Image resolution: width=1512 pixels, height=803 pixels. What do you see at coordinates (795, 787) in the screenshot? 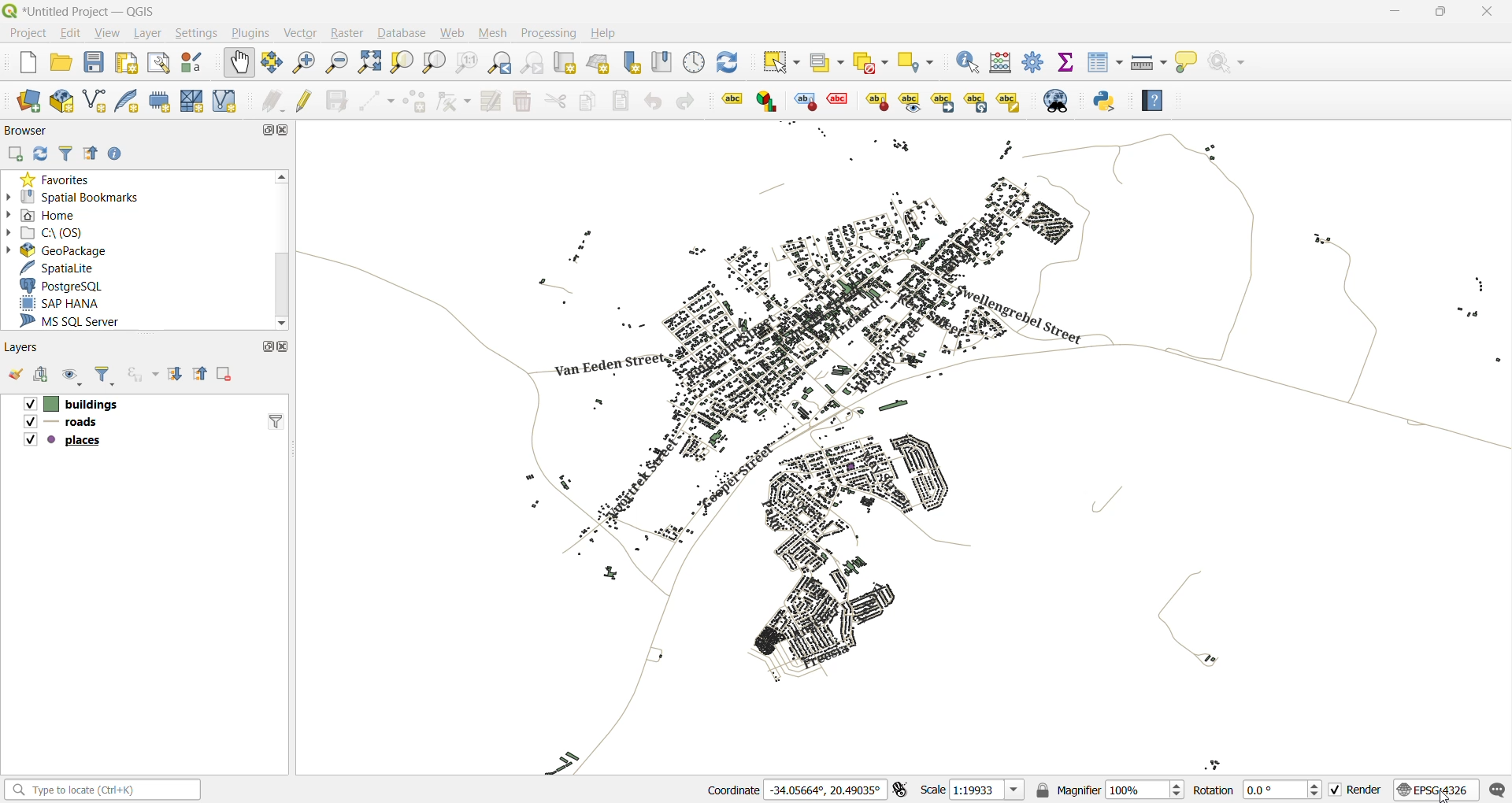
I see `coordinates` at bounding box center [795, 787].